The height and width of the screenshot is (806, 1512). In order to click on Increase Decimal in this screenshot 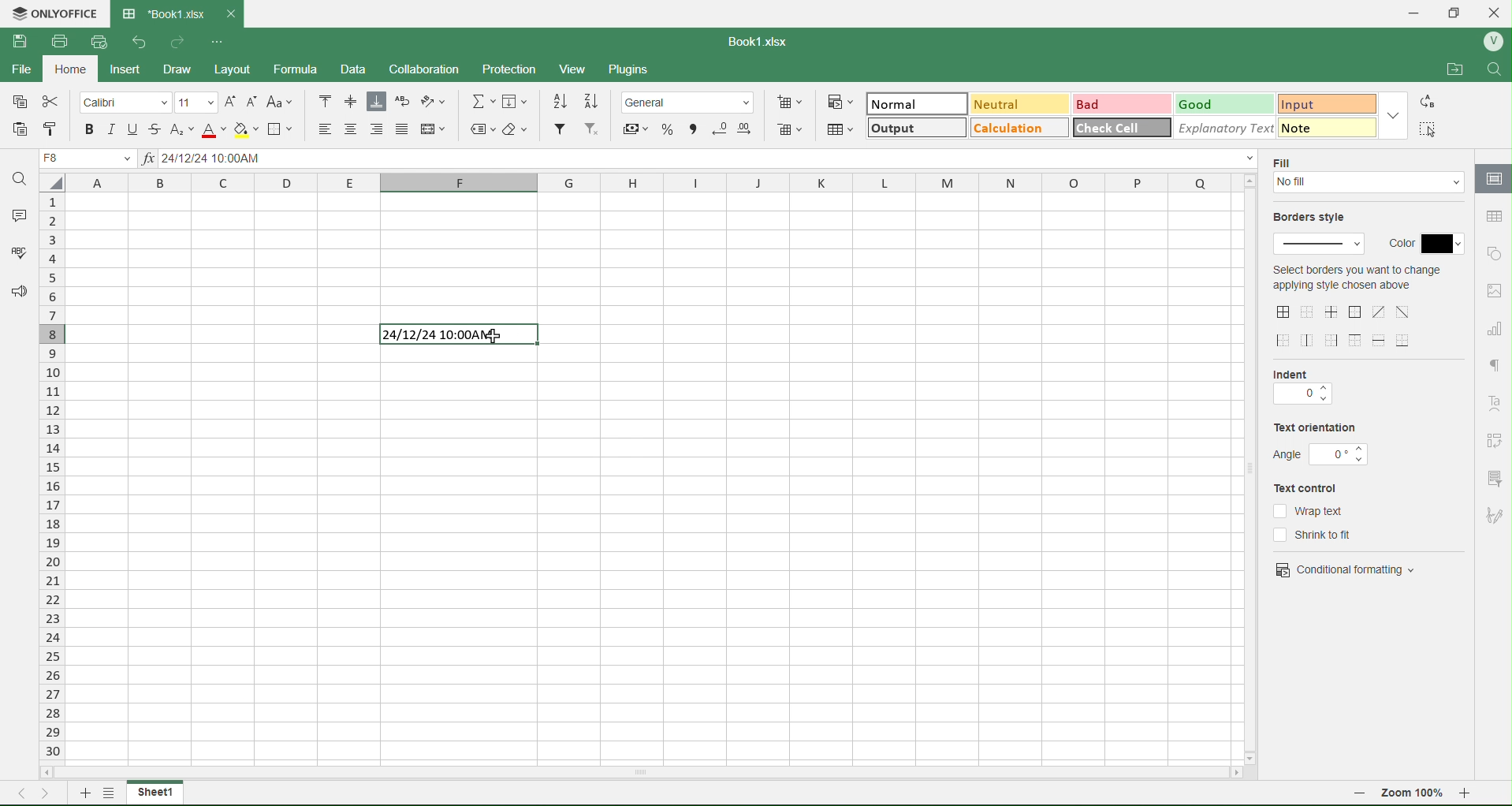, I will do `click(747, 126)`.